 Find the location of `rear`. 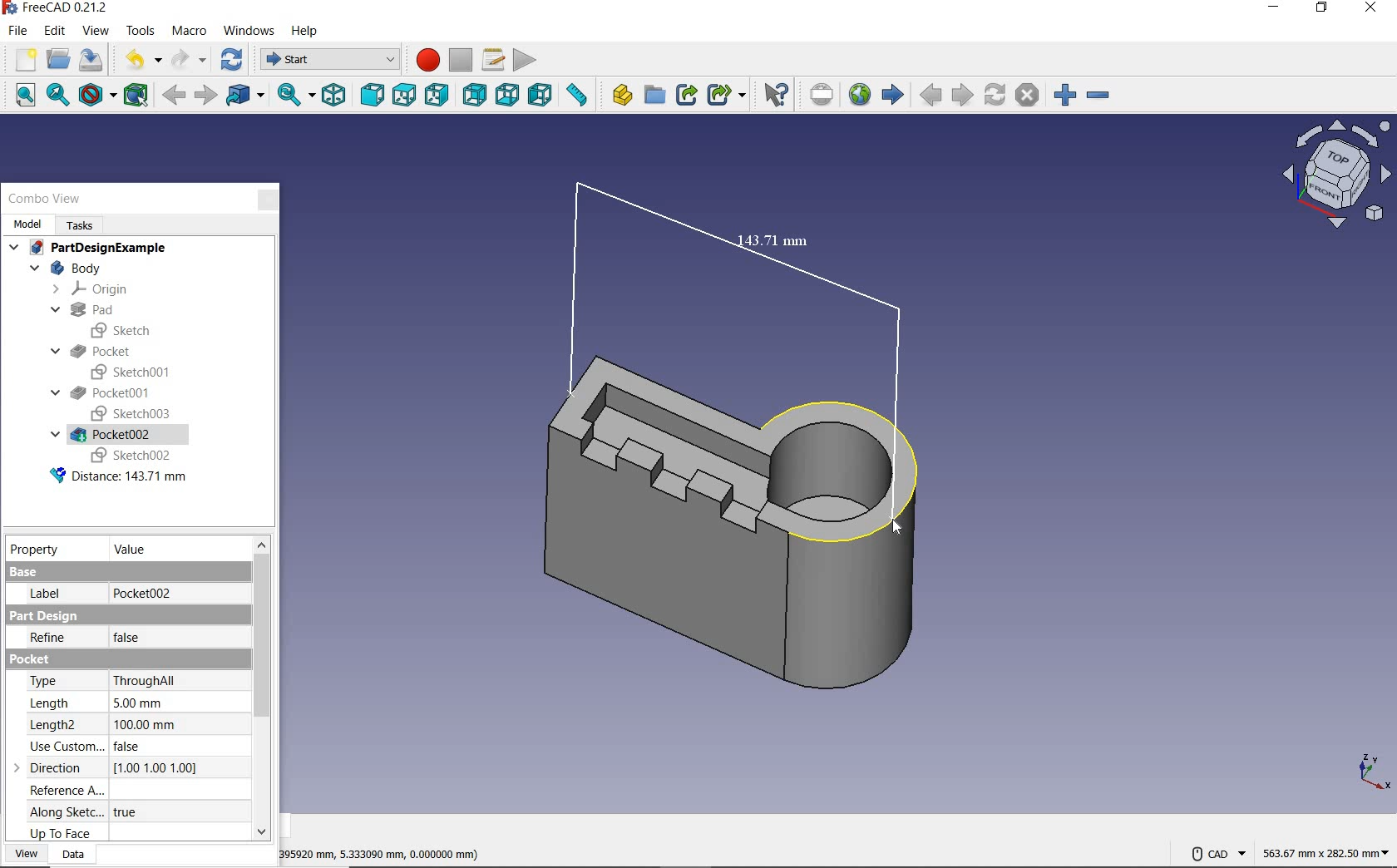

rear is located at coordinates (472, 97).